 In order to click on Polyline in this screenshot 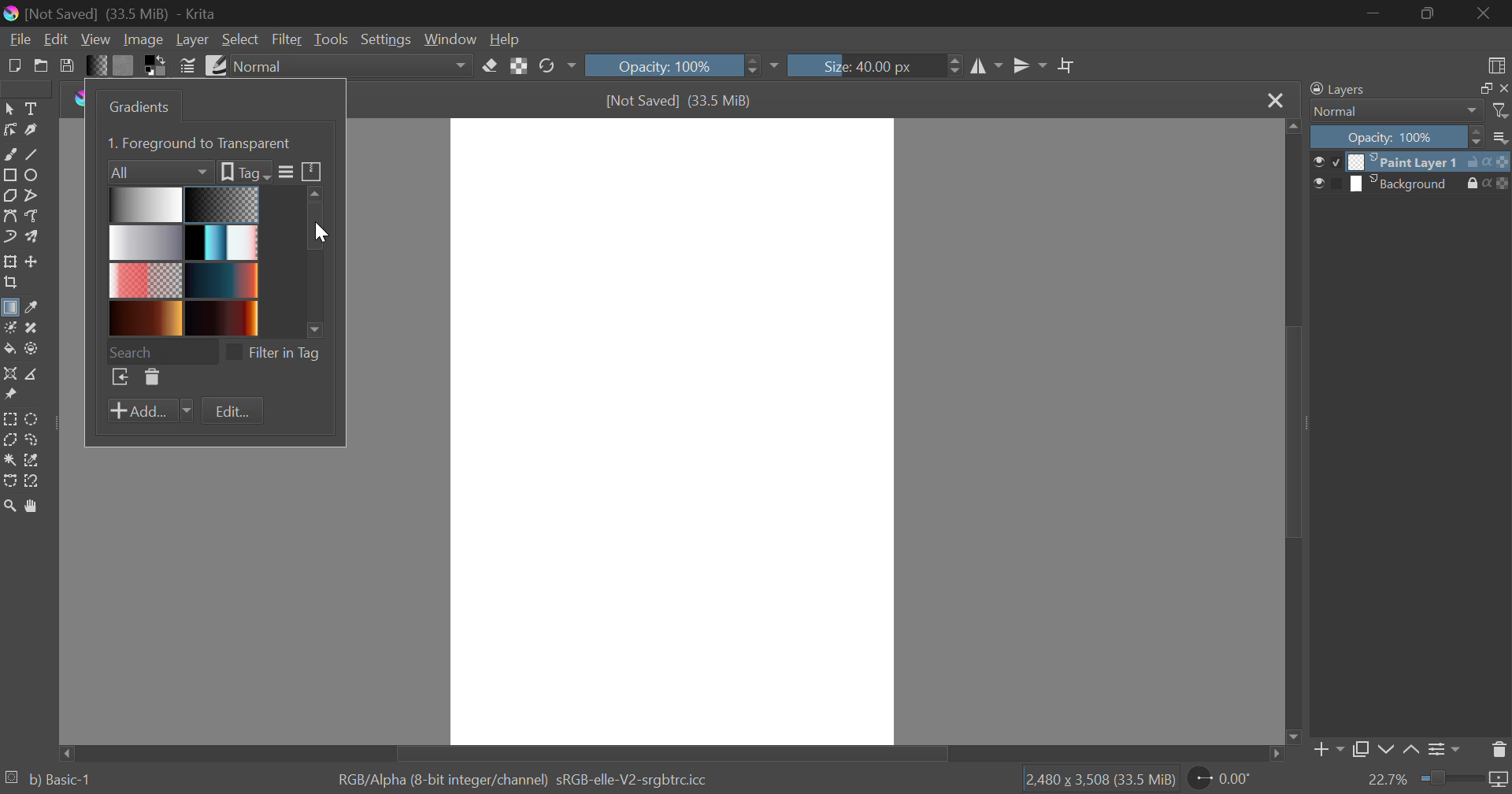, I will do `click(30, 194)`.